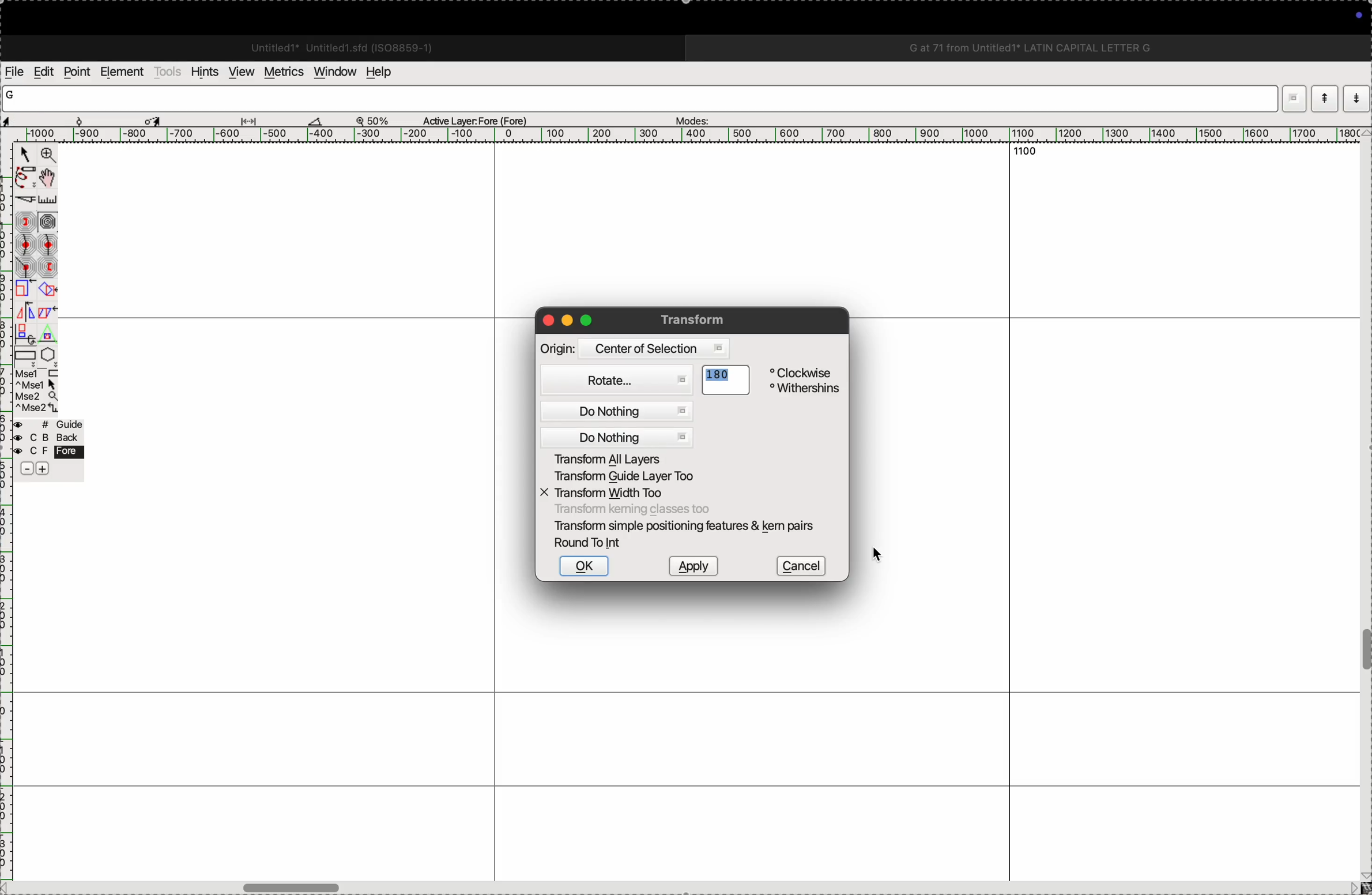  What do you see at coordinates (285, 71) in the screenshot?
I see `metrics` at bounding box center [285, 71].